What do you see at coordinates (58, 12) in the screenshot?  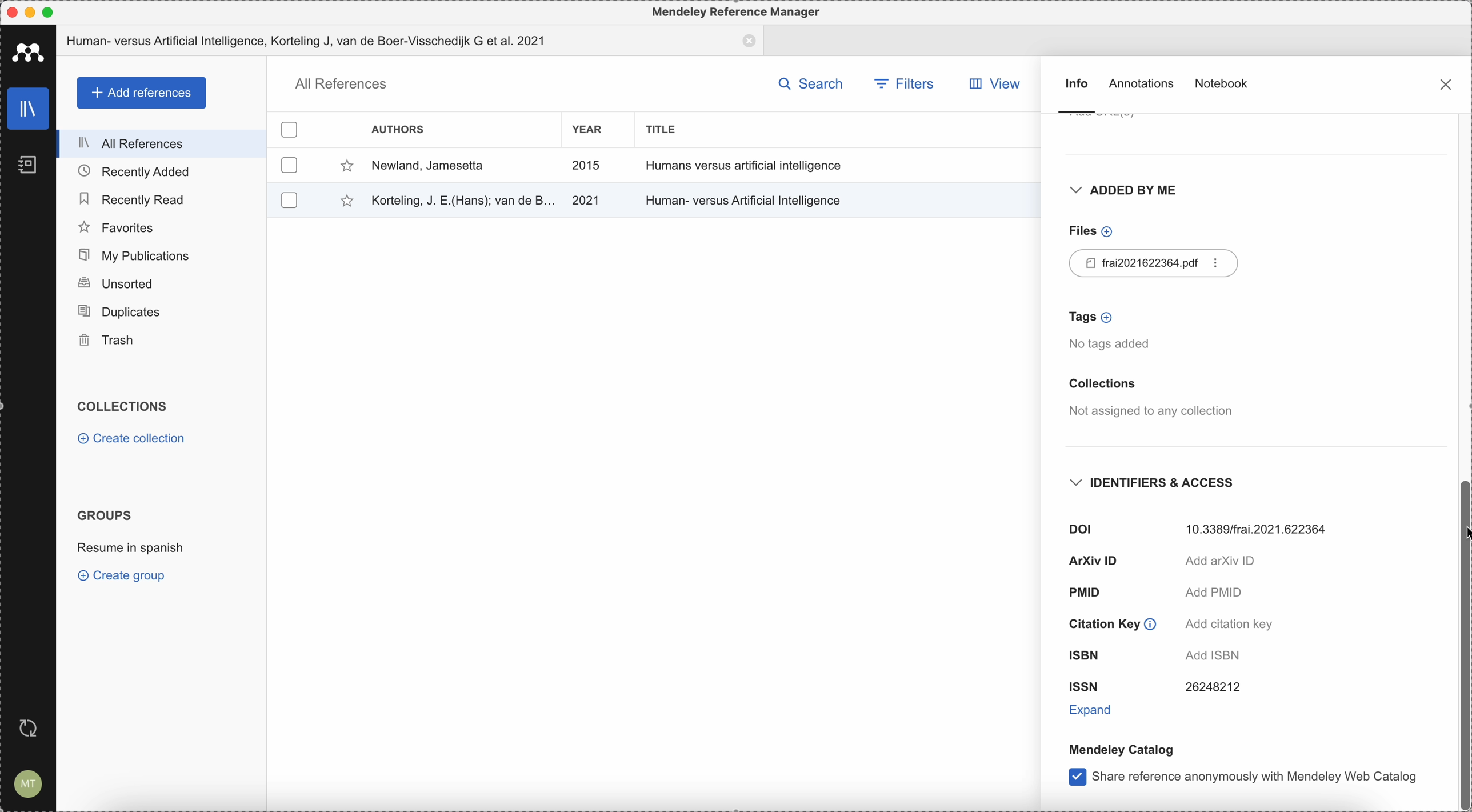 I see `maximize Mendeley` at bounding box center [58, 12].